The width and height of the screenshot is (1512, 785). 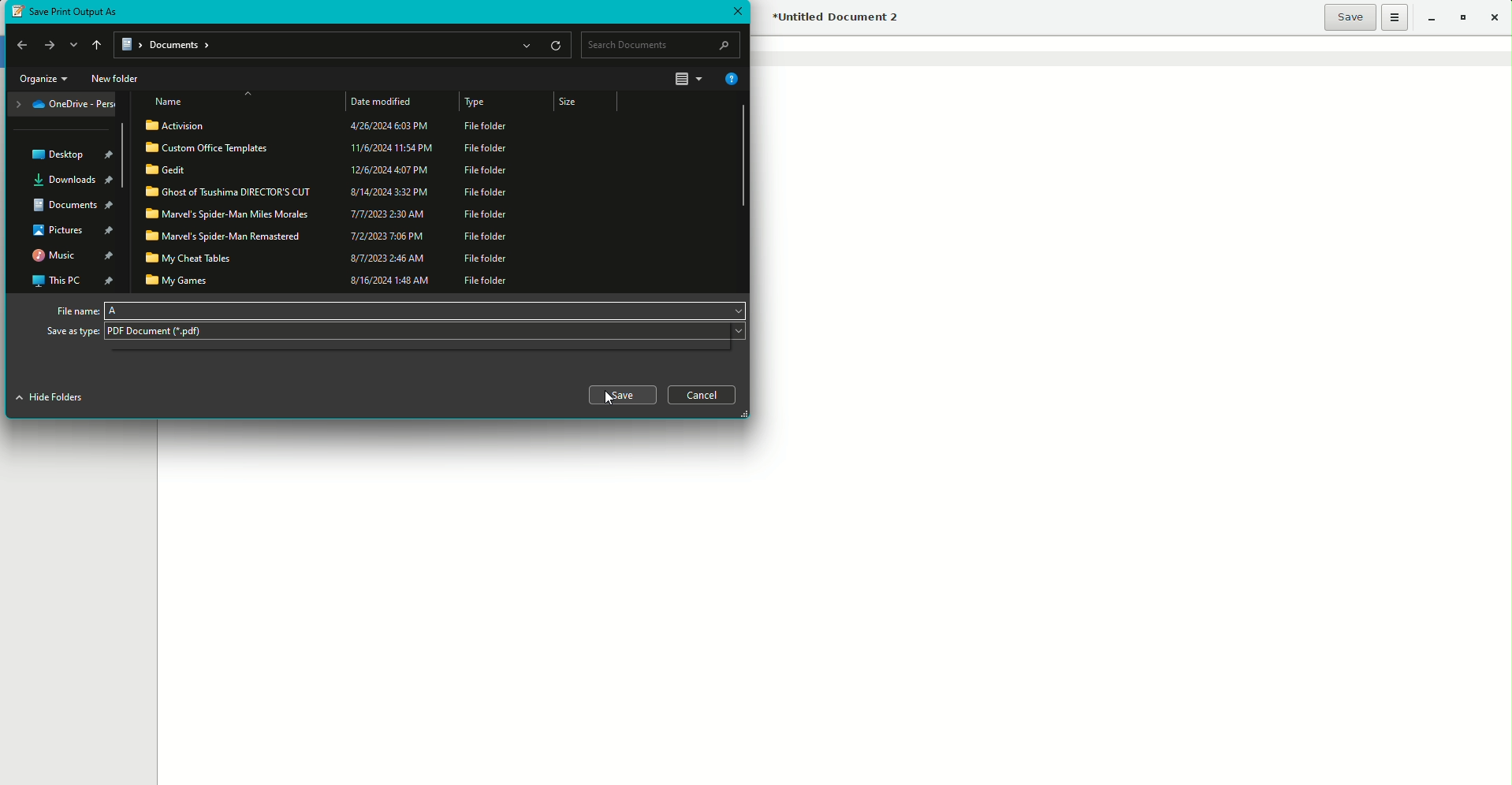 What do you see at coordinates (661, 45) in the screenshot?
I see `Search bar` at bounding box center [661, 45].